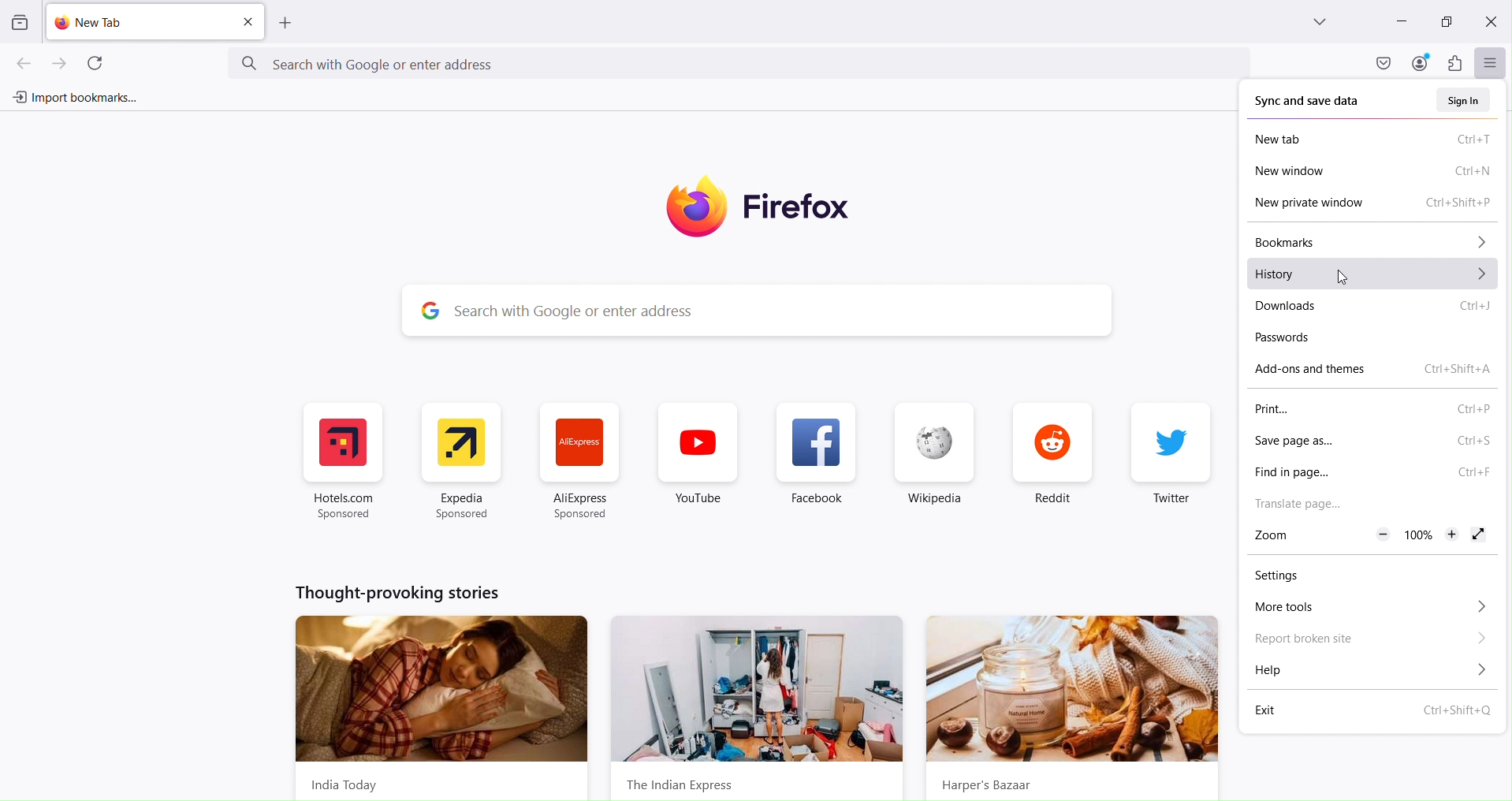 The height and width of the screenshot is (801, 1512). Describe the element at coordinates (426, 310) in the screenshot. I see `google logo` at that location.